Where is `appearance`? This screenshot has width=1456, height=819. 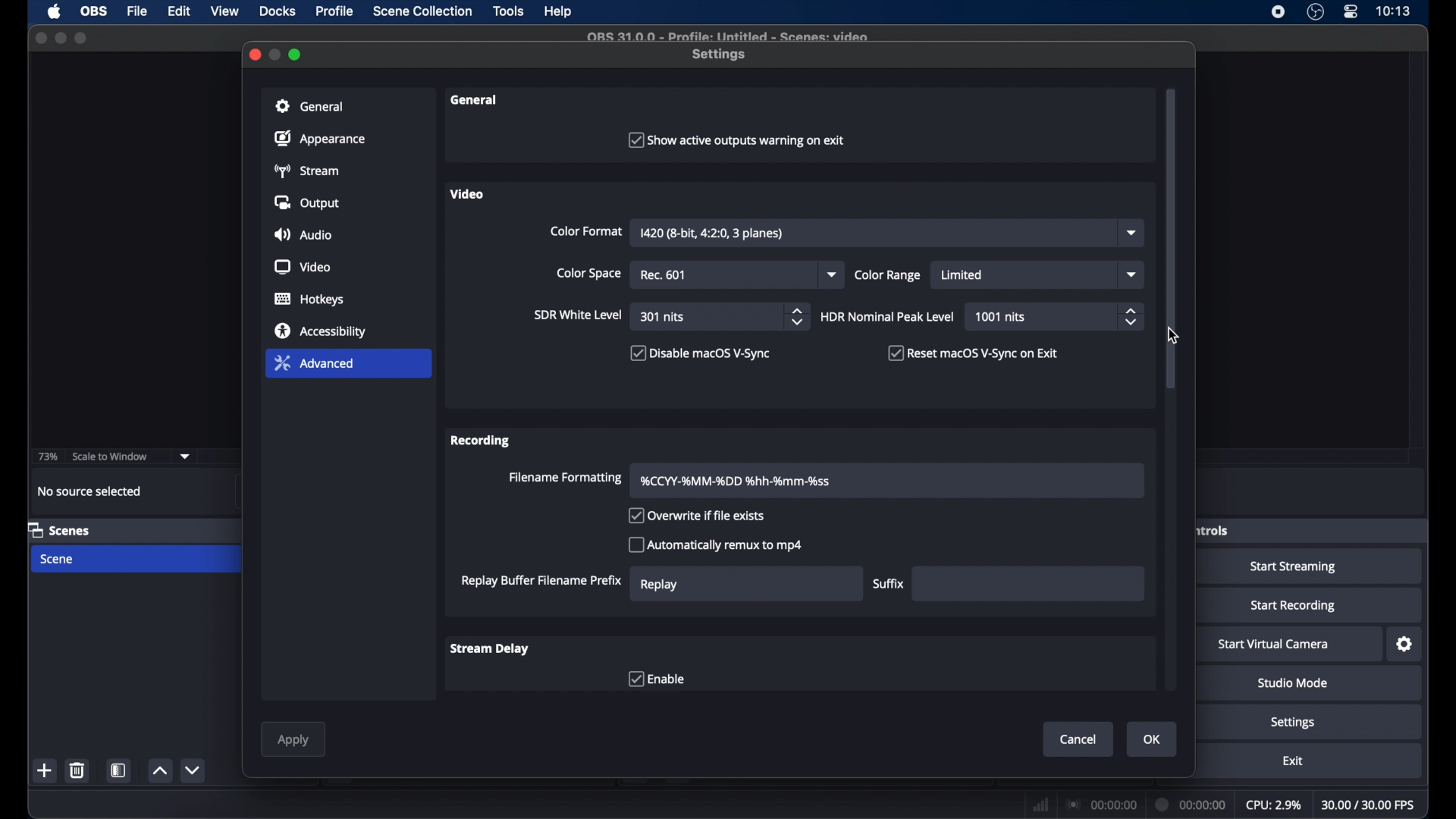
appearance is located at coordinates (320, 138).